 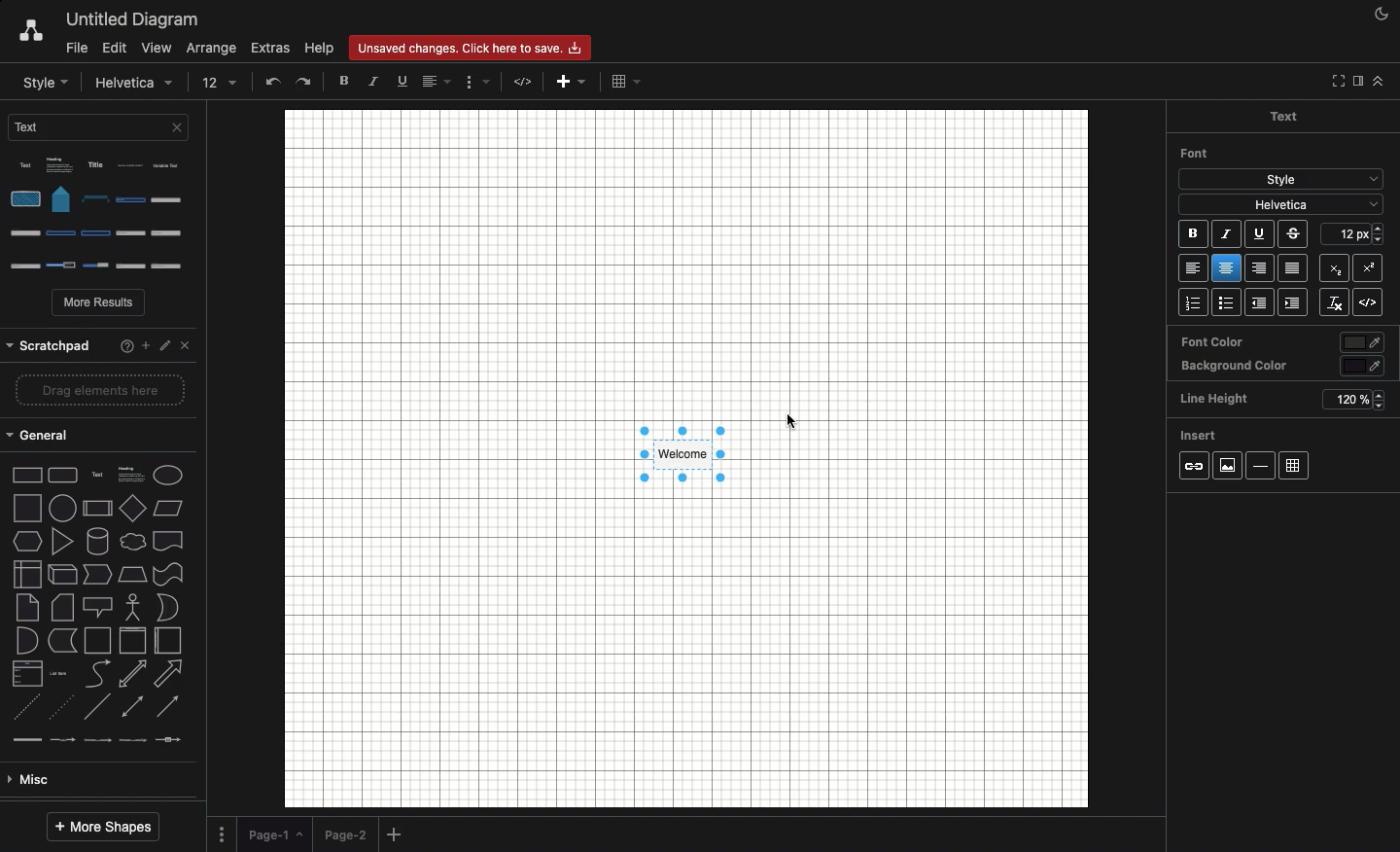 I want to click on Image, so click(x=1229, y=466).